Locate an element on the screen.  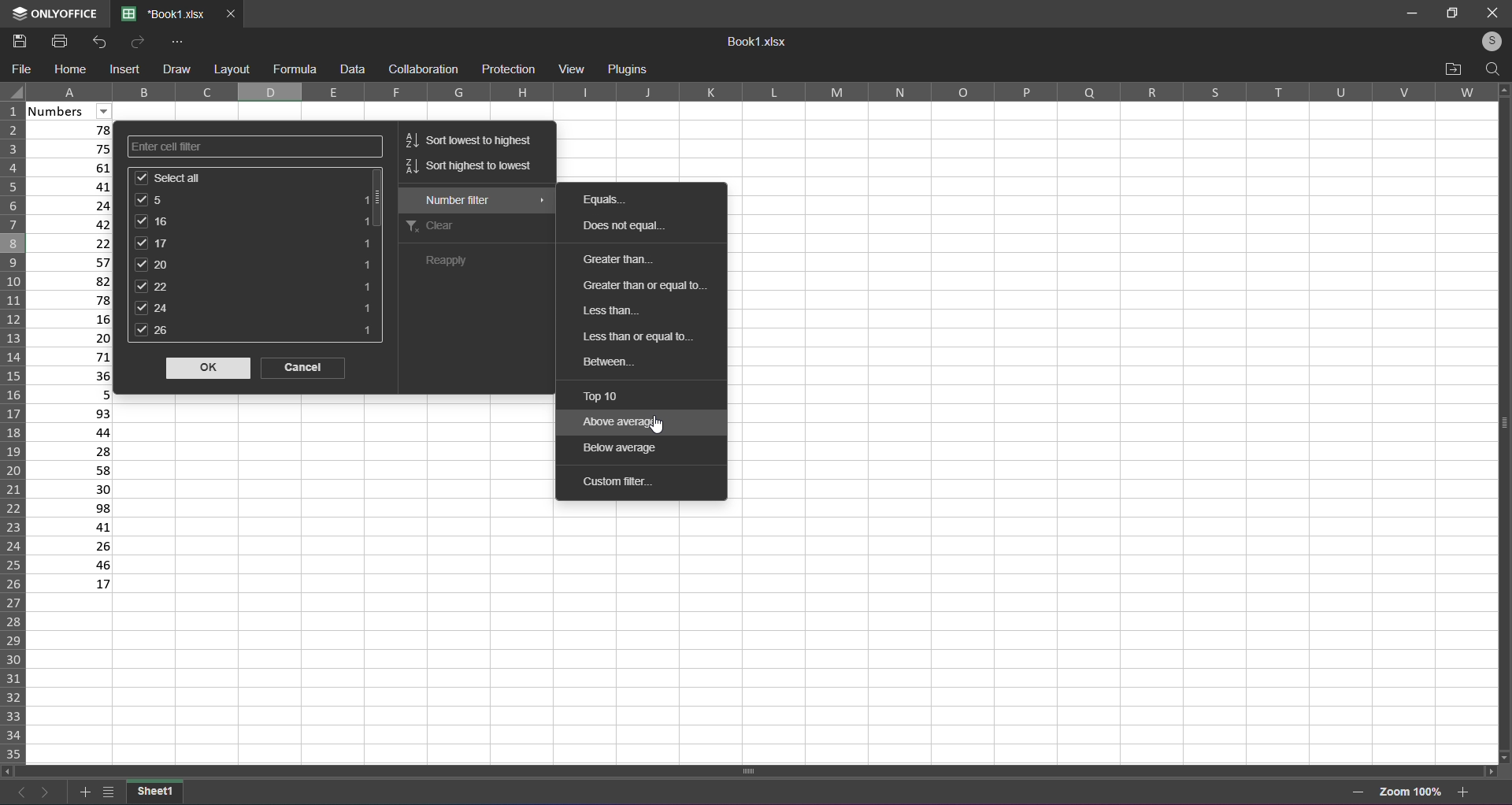
less than or equal to is located at coordinates (645, 332).